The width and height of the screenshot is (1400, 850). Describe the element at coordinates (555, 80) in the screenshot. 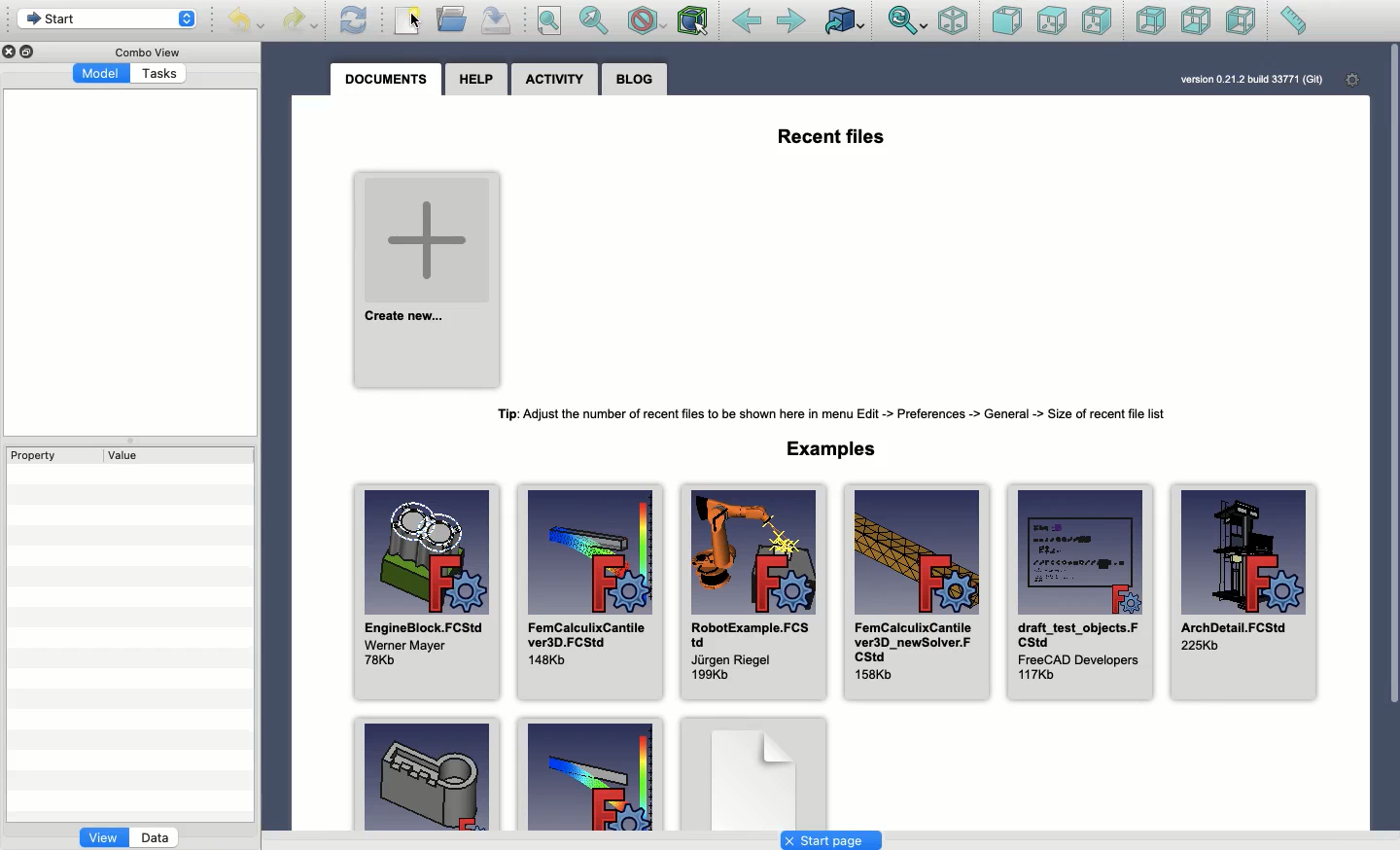

I see `Activity ` at that location.